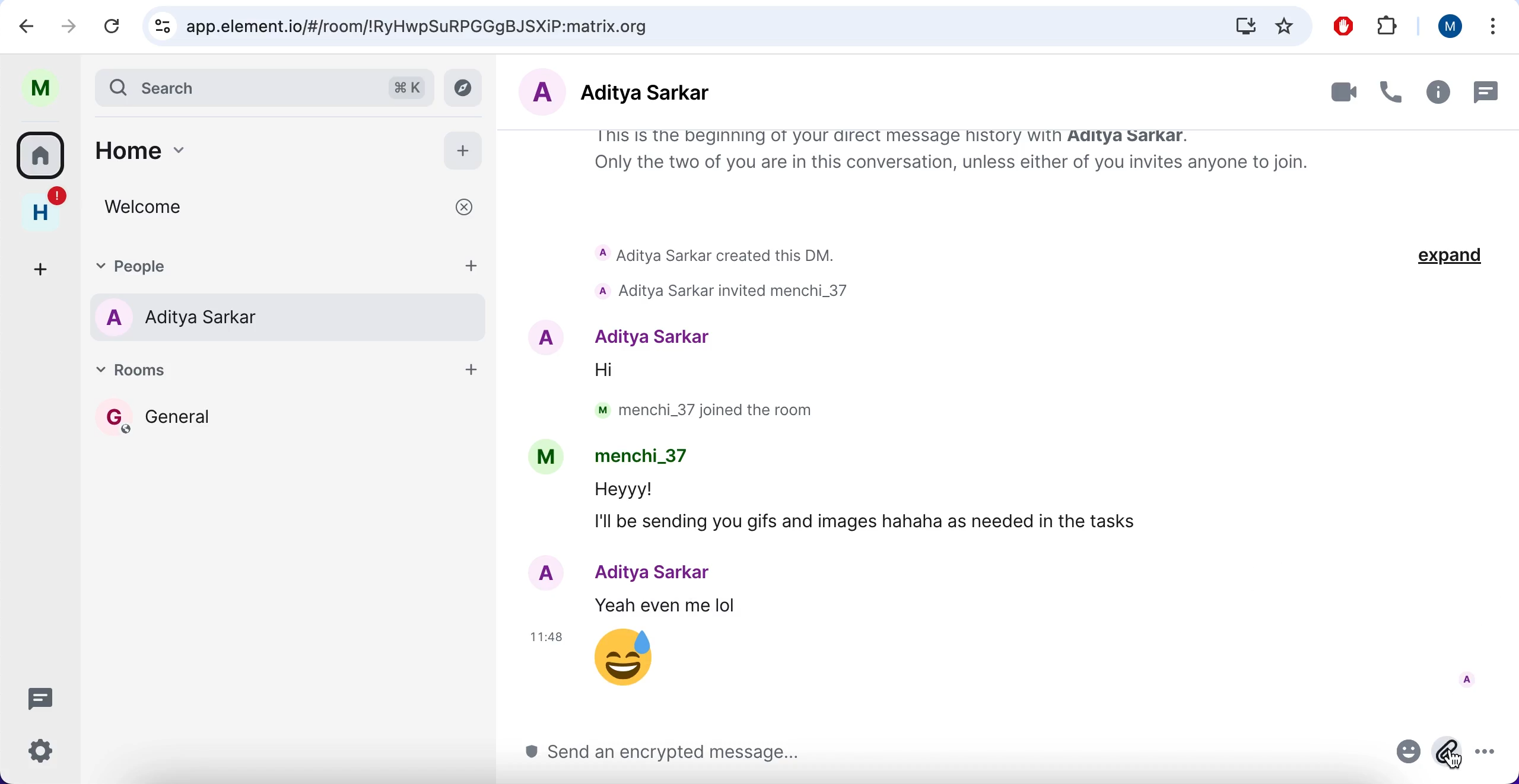  What do you see at coordinates (953, 755) in the screenshot?
I see `send message` at bounding box center [953, 755].